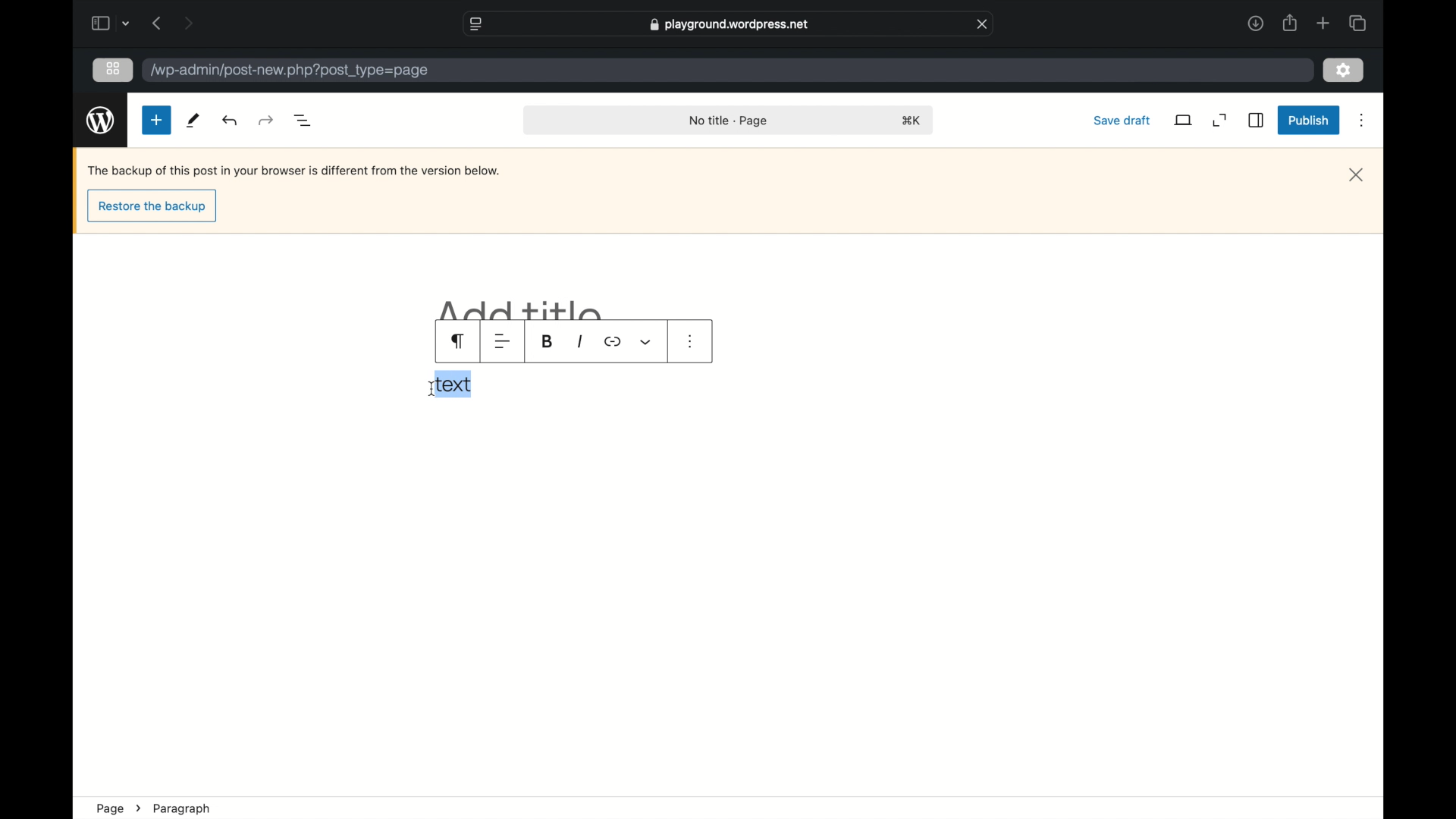 The image size is (1456, 819). I want to click on dropdown, so click(646, 342).